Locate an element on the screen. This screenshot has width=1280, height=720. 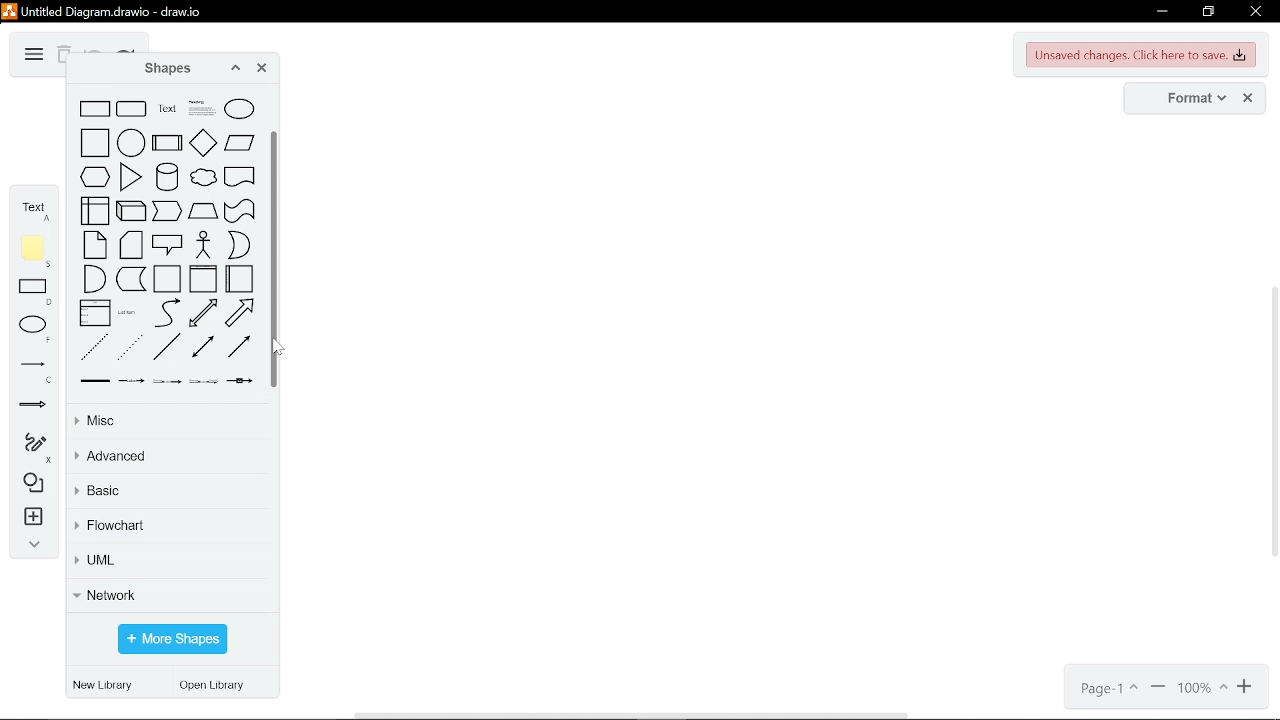
undo is located at coordinates (94, 49).